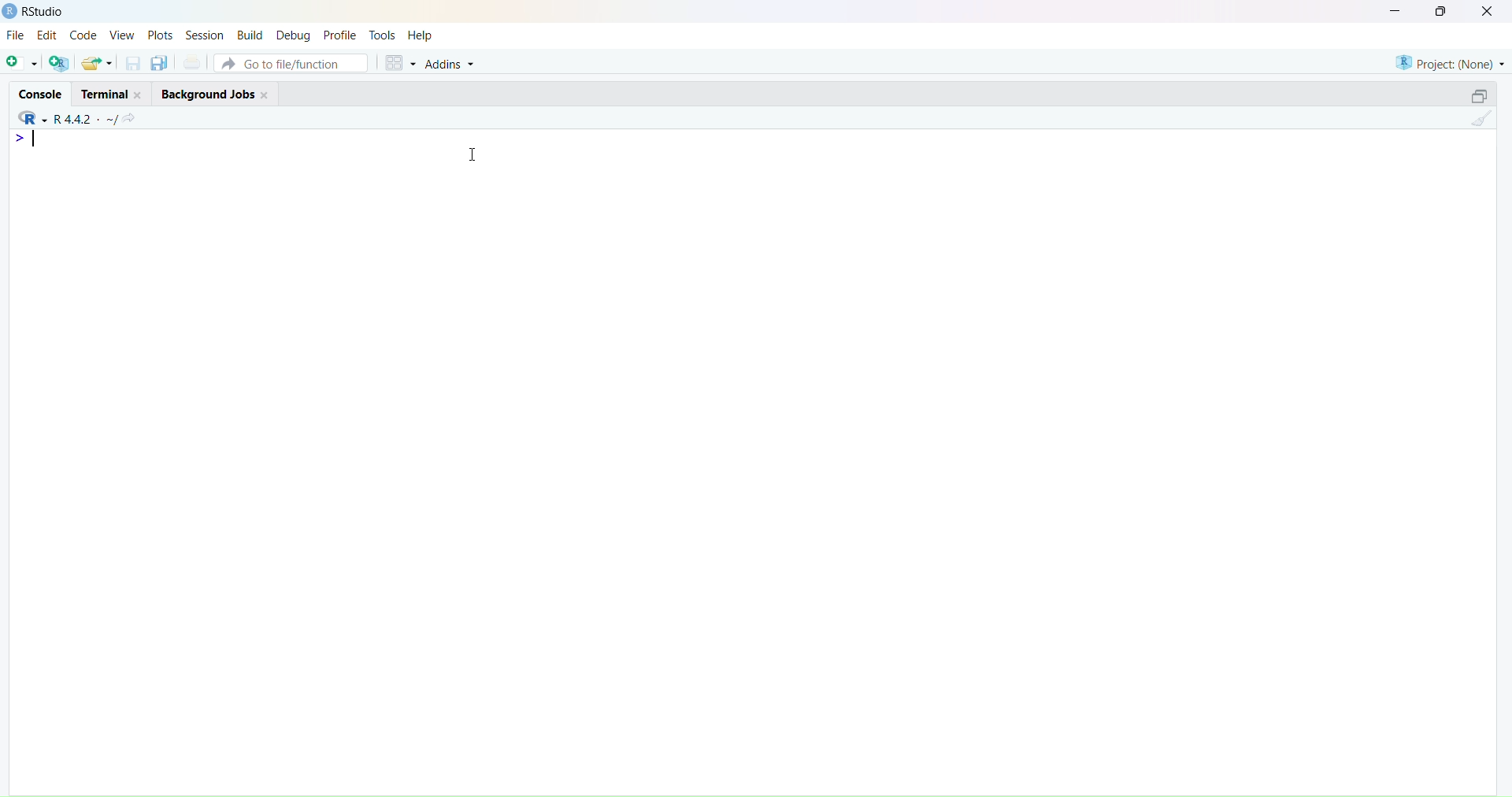 The image size is (1512, 797). Describe the element at coordinates (129, 120) in the screenshot. I see `share` at that location.